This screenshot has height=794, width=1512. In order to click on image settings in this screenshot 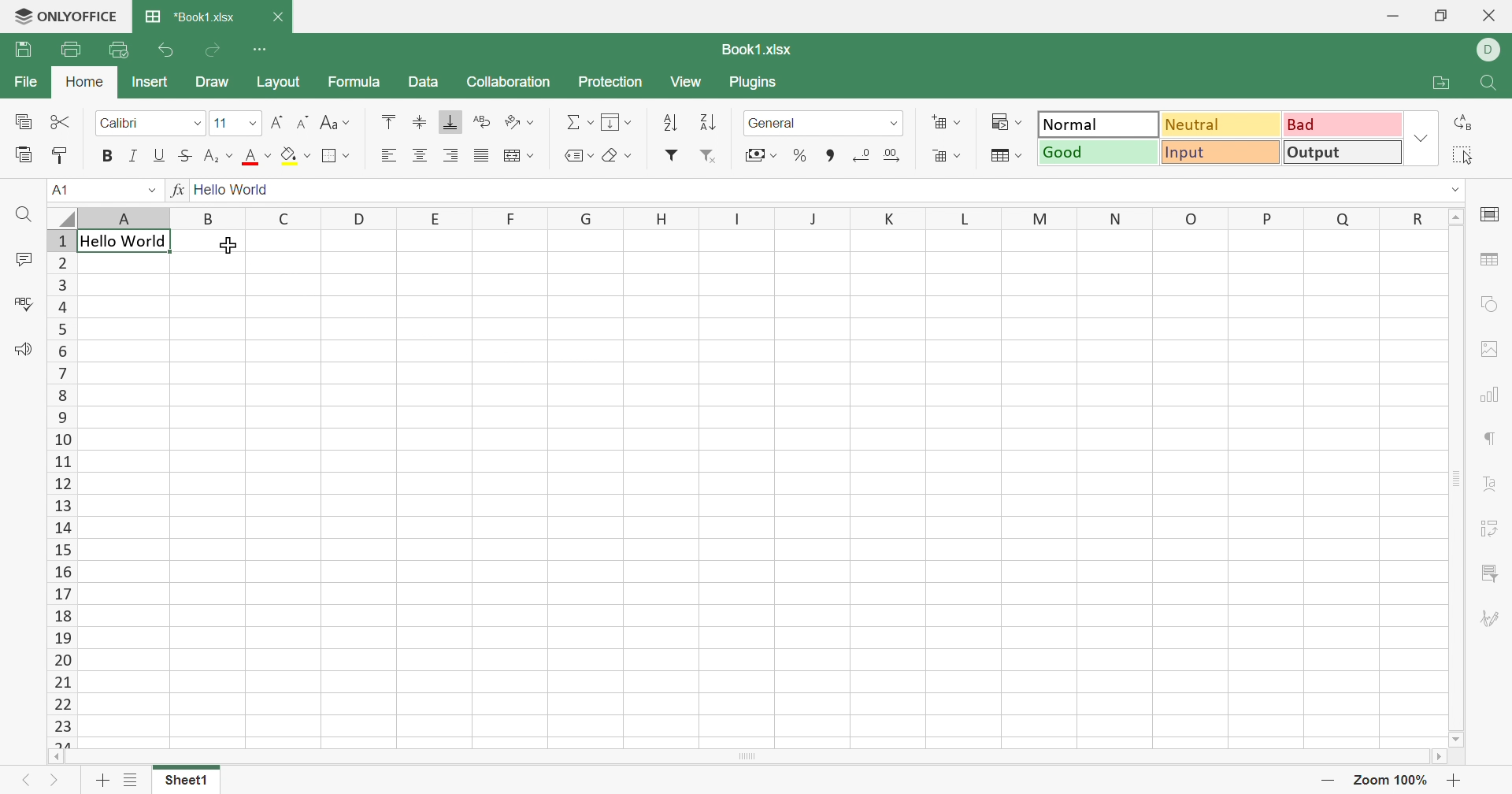, I will do `click(1488, 347)`.